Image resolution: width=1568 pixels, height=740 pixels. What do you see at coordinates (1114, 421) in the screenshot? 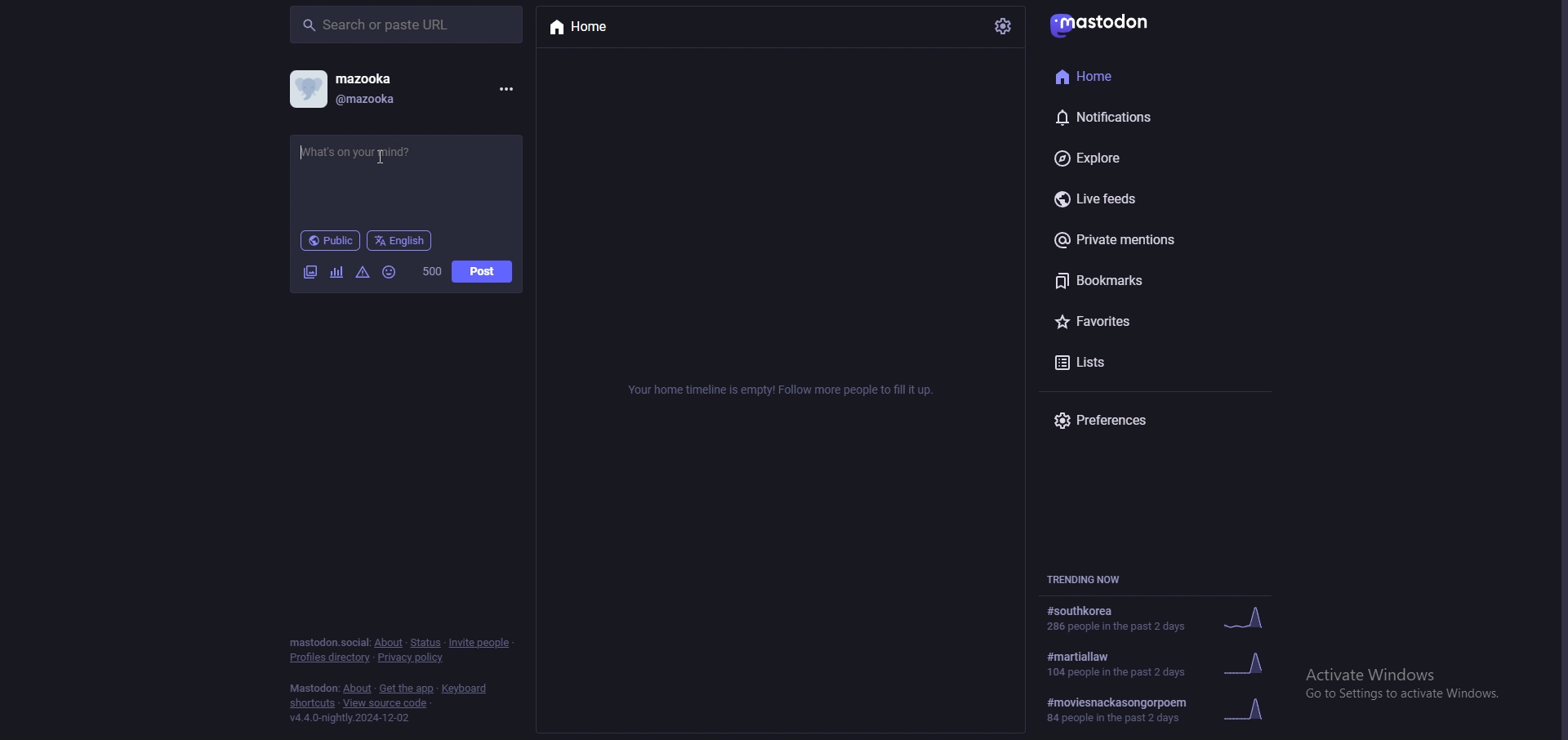
I see `preference` at bounding box center [1114, 421].